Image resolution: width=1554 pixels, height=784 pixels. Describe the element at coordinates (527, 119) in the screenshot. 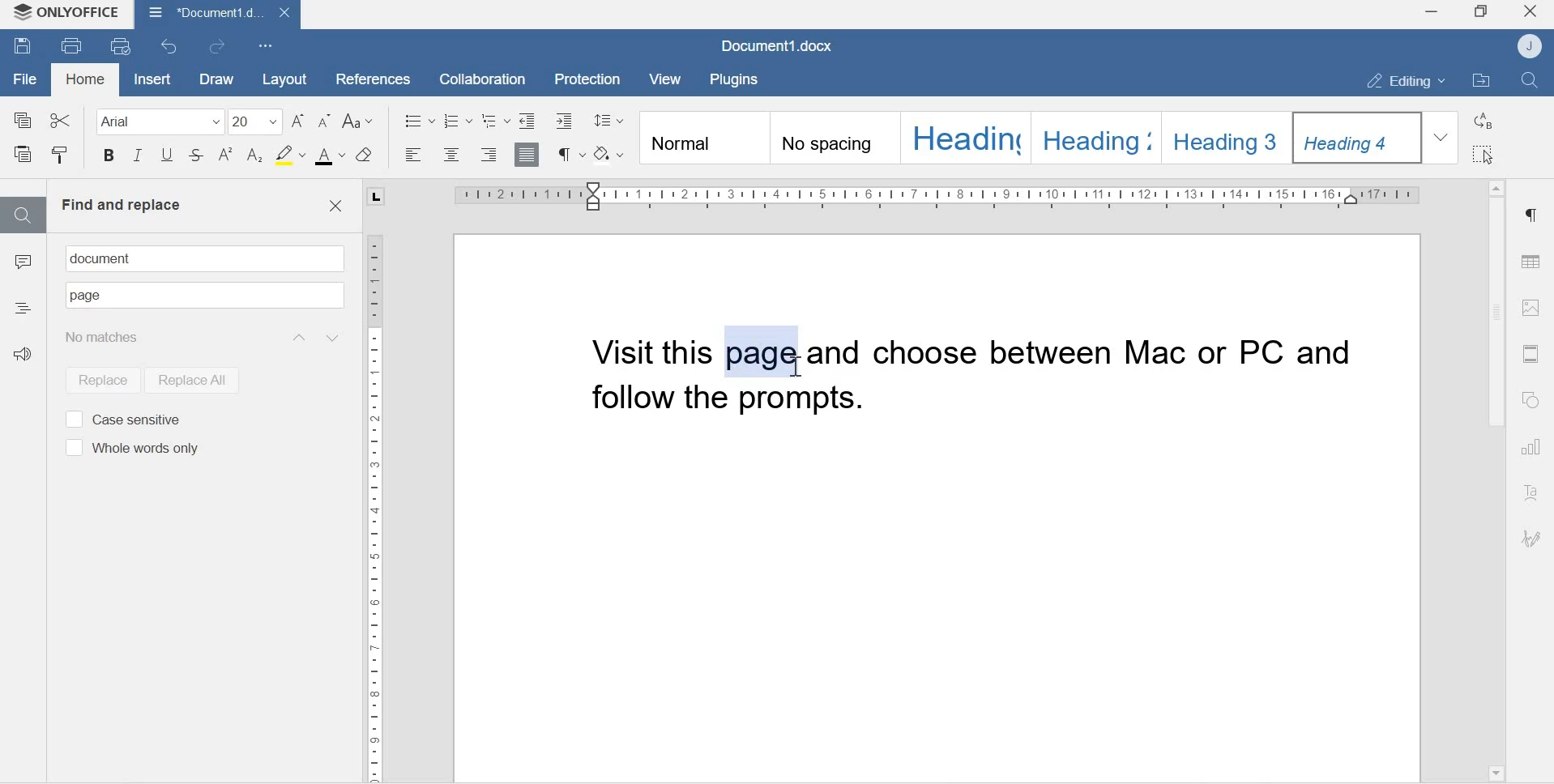

I see `Decrease indent` at that location.